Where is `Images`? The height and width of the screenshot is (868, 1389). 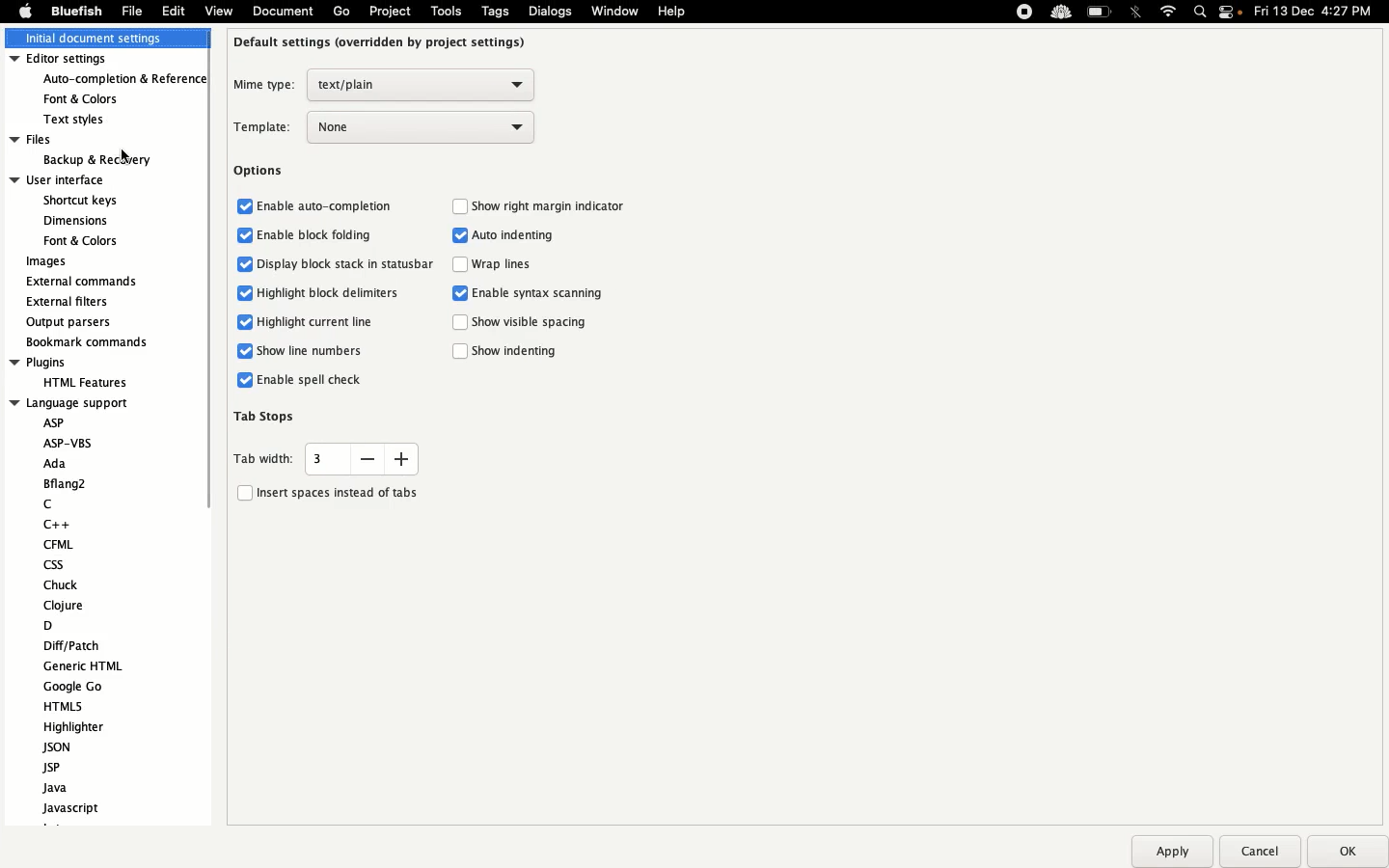
Images is located at coordinates (49, 262).